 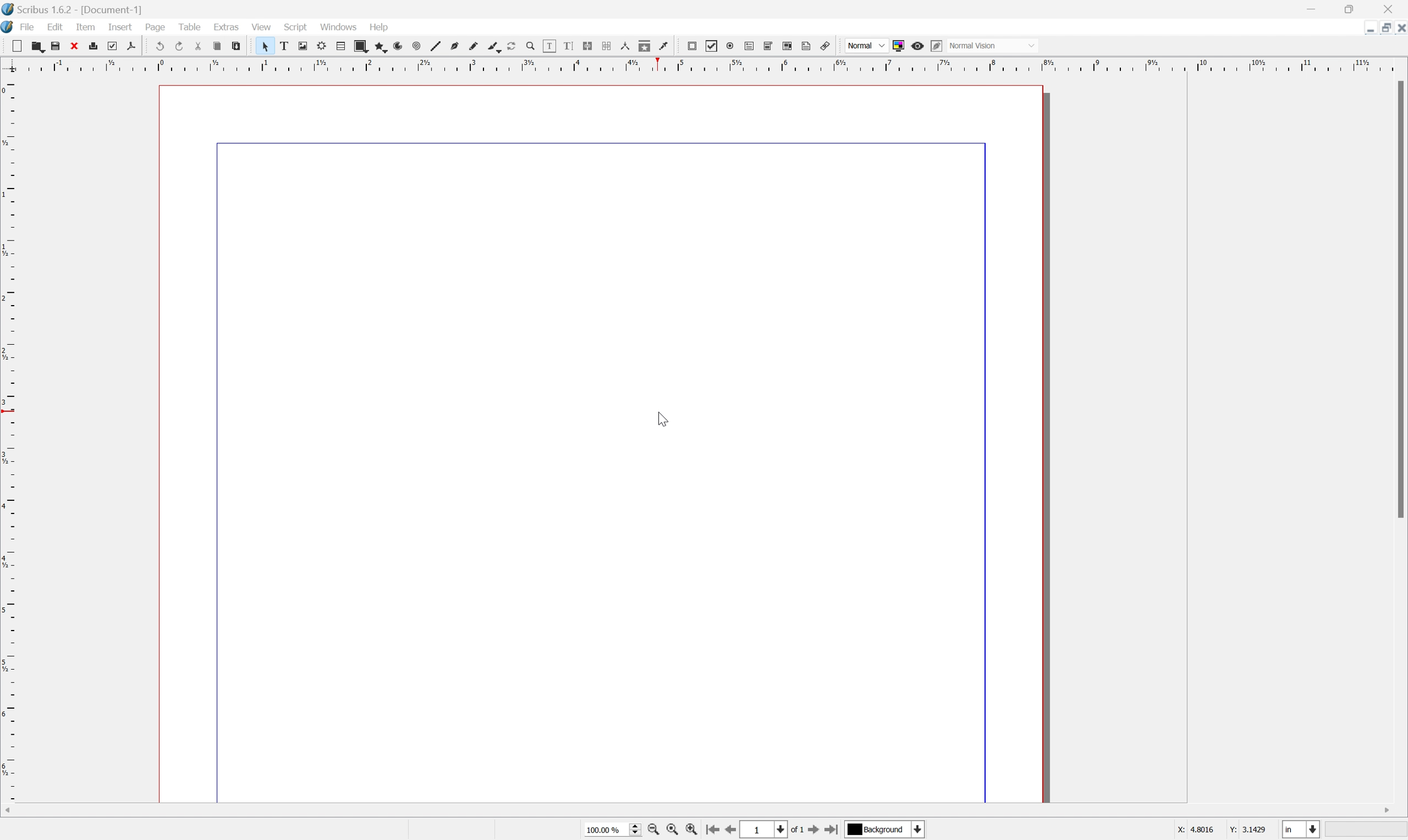 What do you see at coordinates (361, 47) in the screenshot?
I see `shape` at bounding box center [361, 47].